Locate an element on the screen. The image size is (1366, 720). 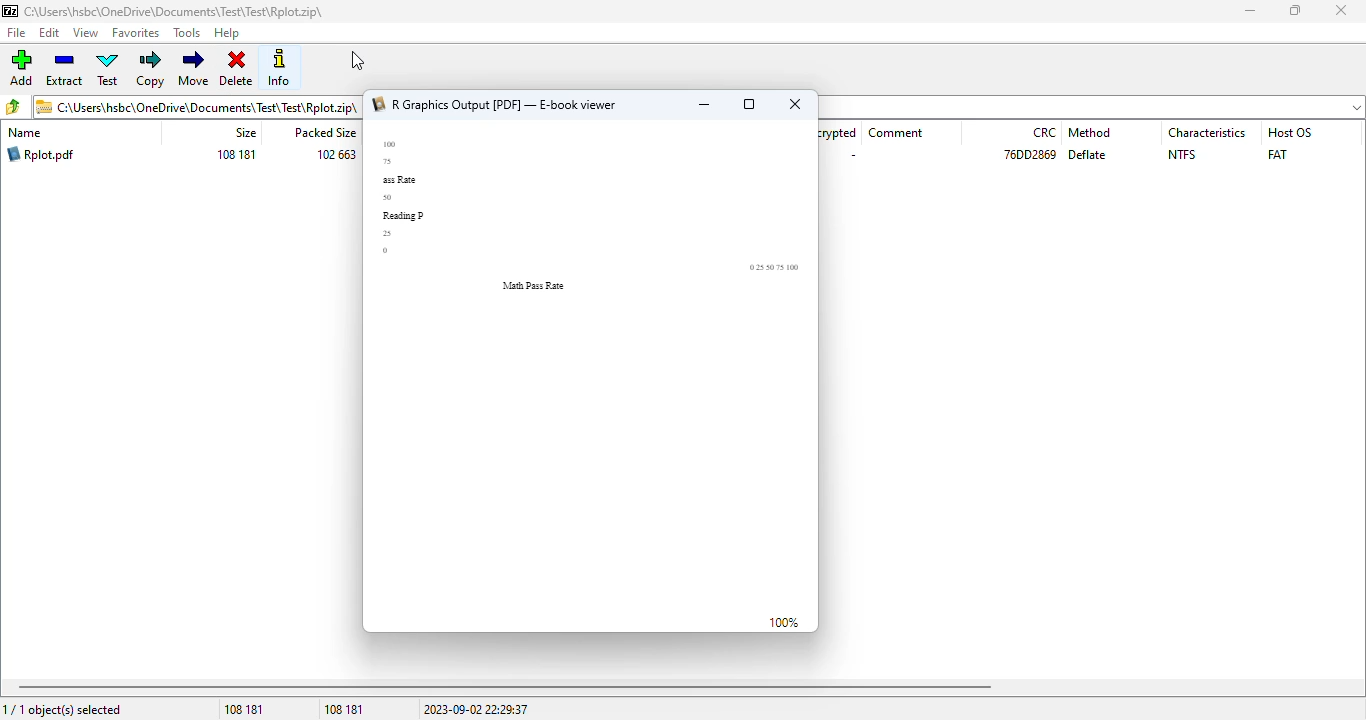
102 663 is located at coordinates (334, 154).